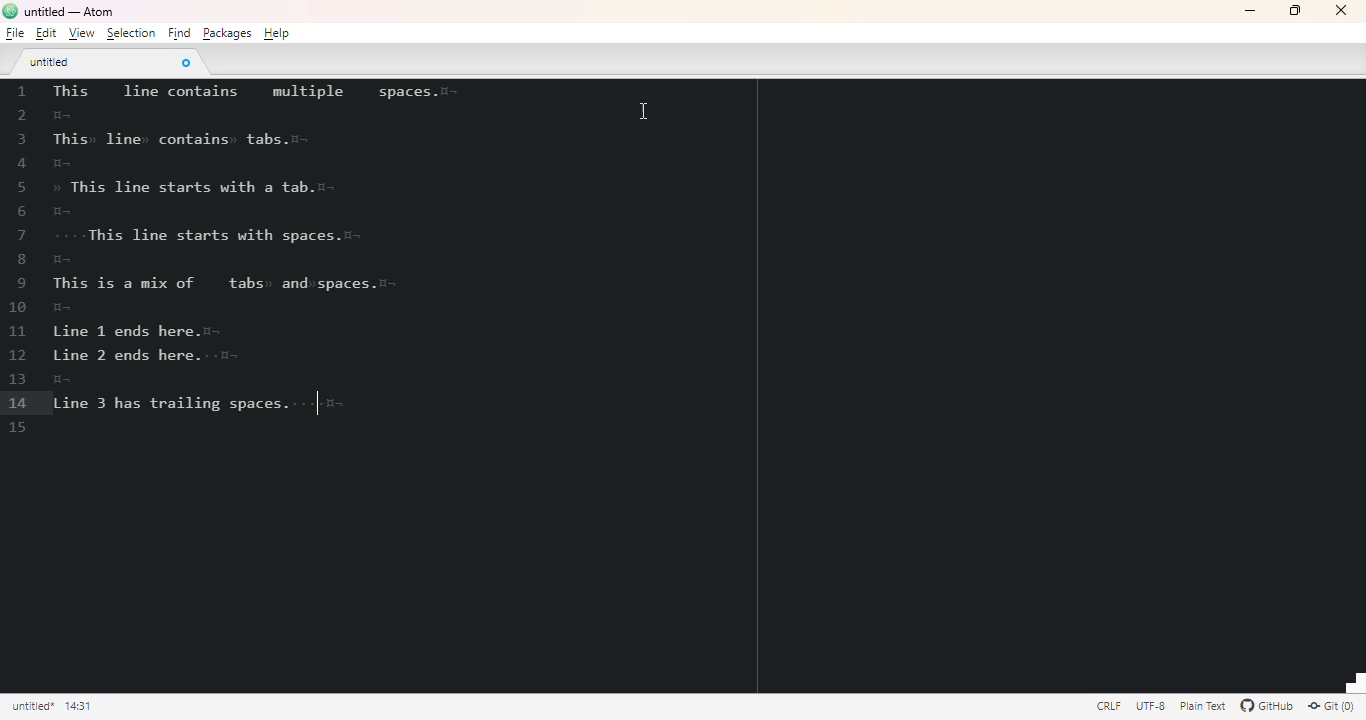 The image size is (1366, 720). Describe the element at coordinates (20, 260) in the screenshot. I see `line numbers` at that location.